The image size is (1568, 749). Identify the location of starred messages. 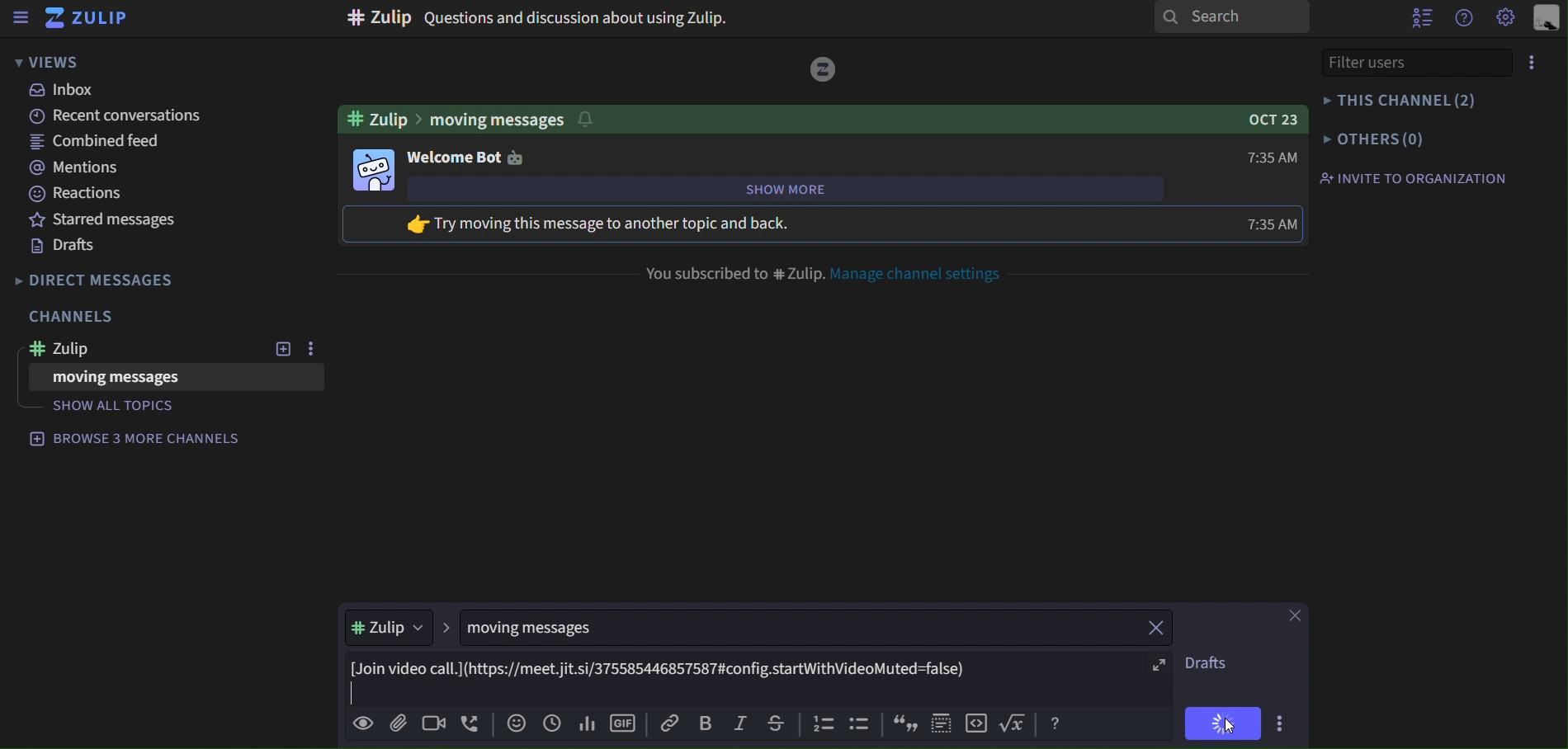
(96, 220).